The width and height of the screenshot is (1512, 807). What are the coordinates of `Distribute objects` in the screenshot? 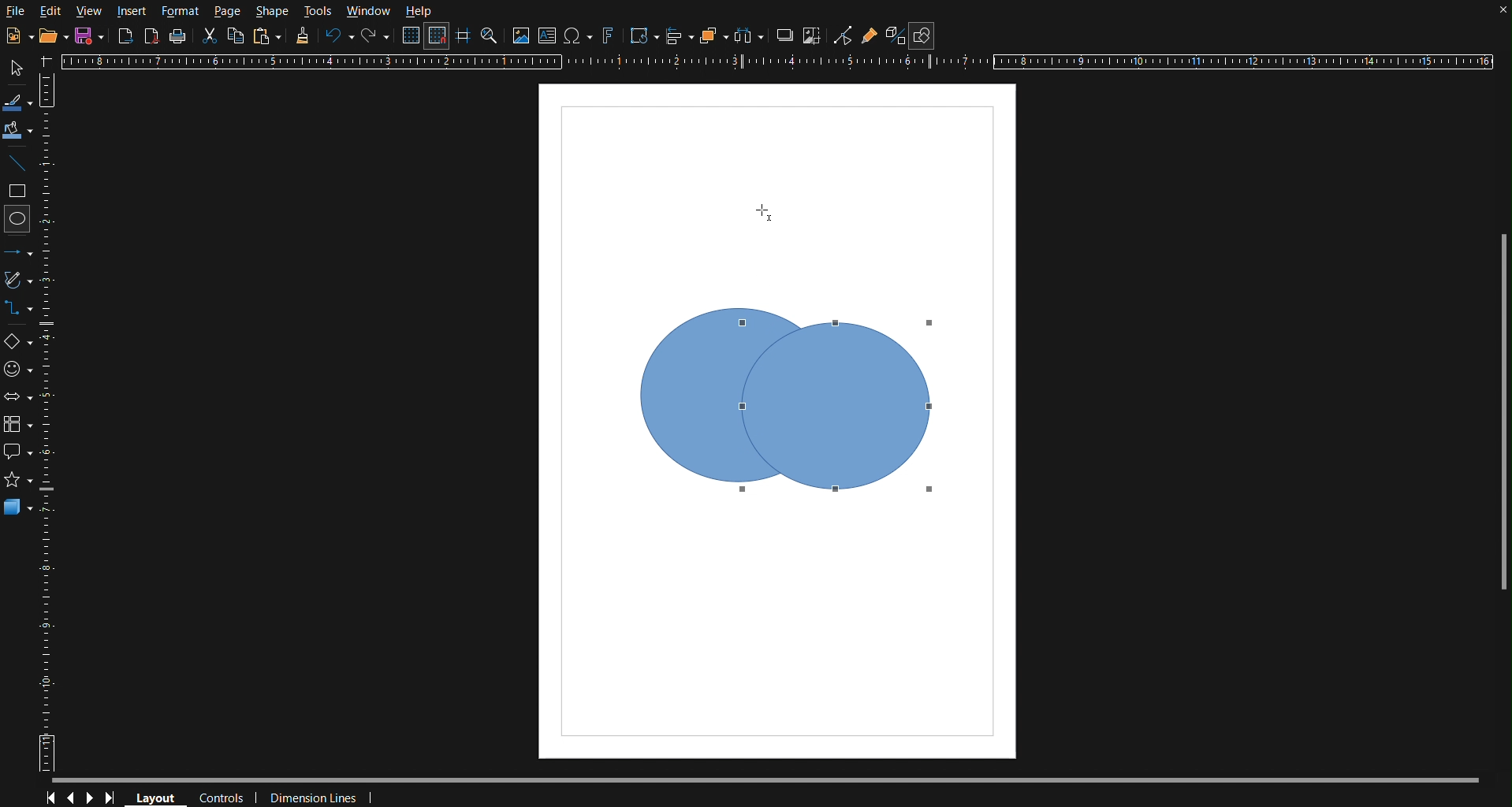 It's located at (754, 37).